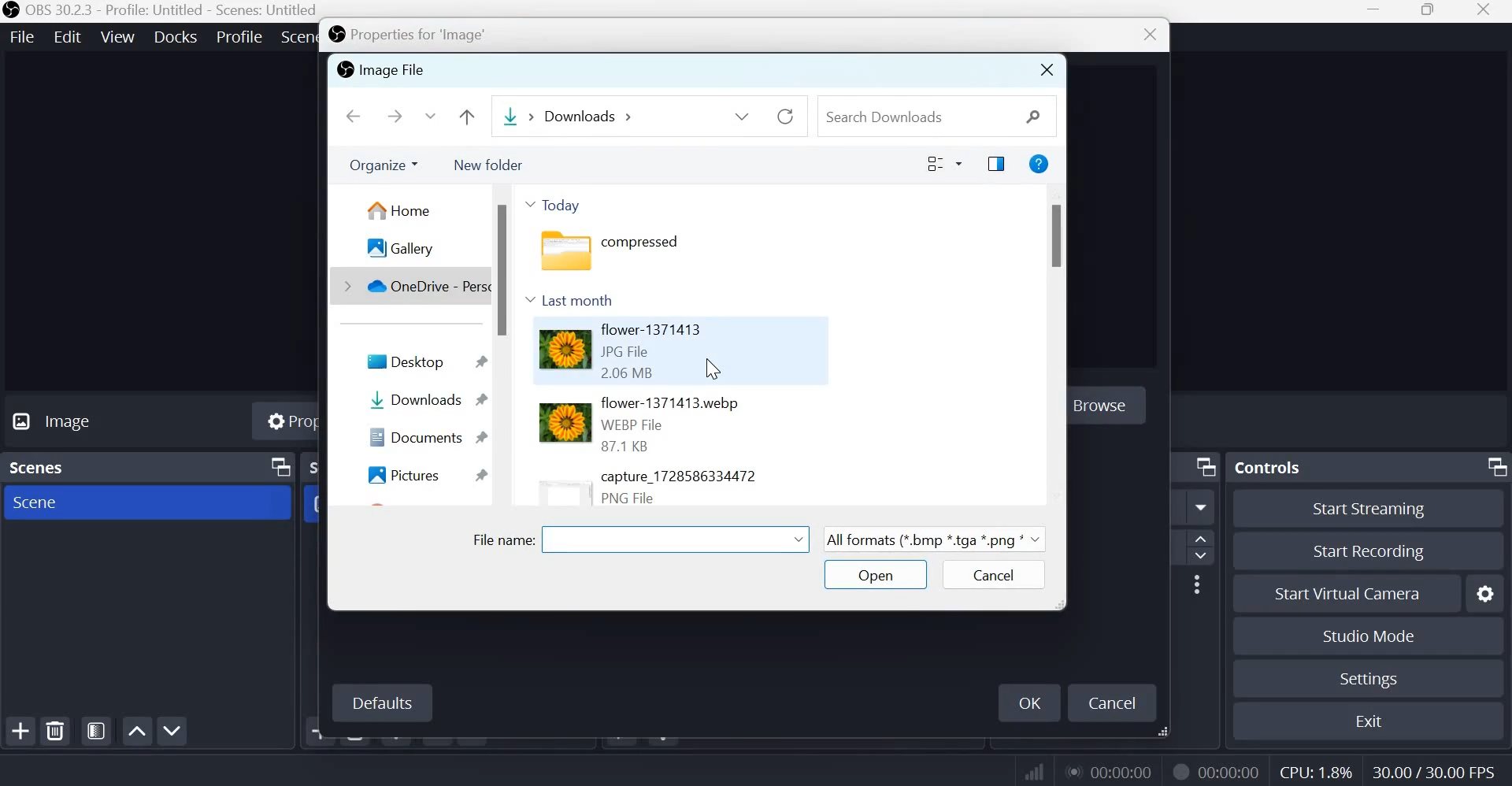 Image resolution: width=1512 pixels, height=786 pixels. Describe the element at coordinates (1493, 468) in the screenshot. I see `Dock Options icon` at that location.